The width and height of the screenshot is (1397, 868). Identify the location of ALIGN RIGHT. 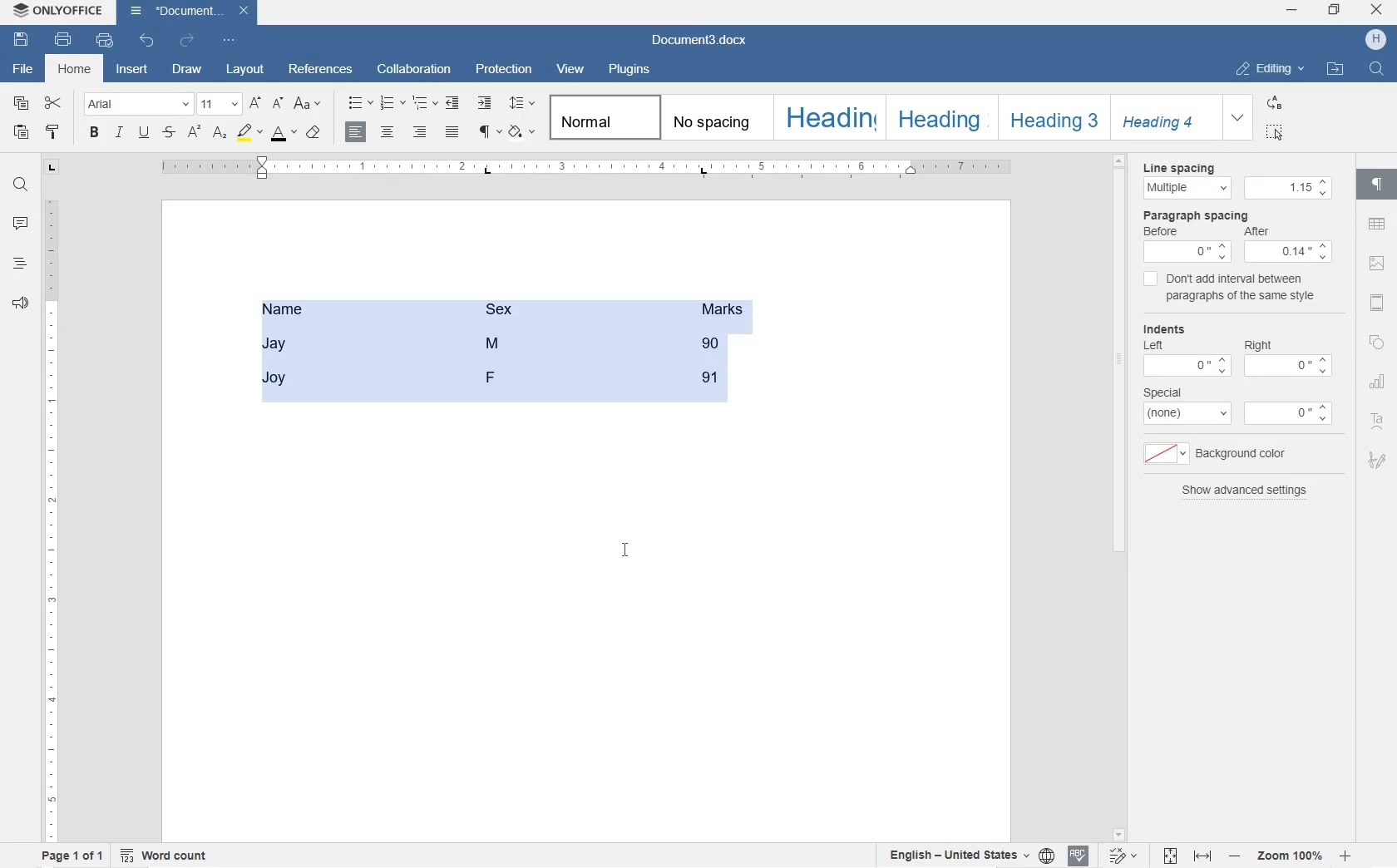
(421, 131).